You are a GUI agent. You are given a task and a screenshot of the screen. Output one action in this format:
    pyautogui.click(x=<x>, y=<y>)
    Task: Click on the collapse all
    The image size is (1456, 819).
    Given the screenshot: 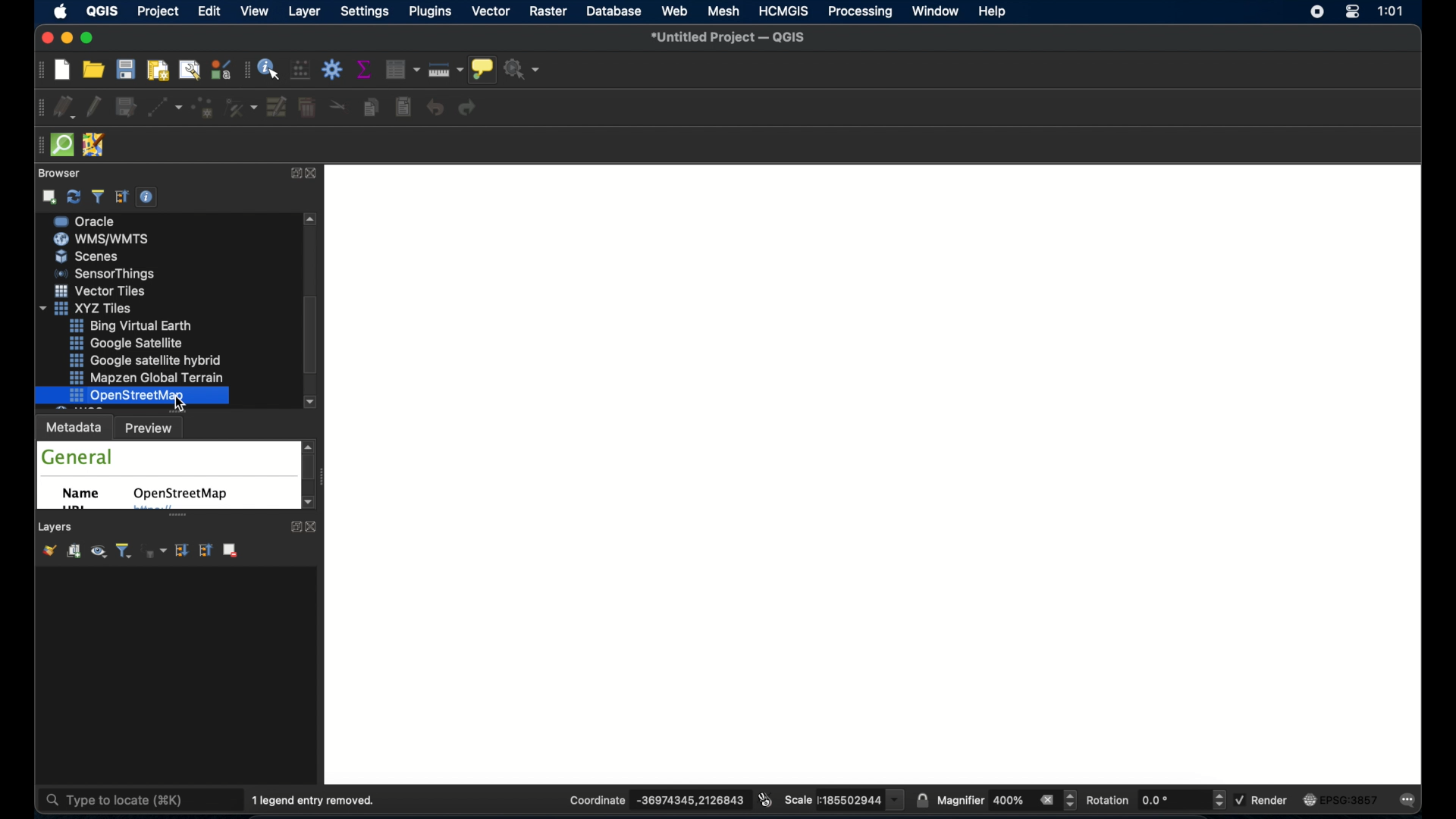 What is the action you would take?
    pyautogui.click(x=205, y=551)
    